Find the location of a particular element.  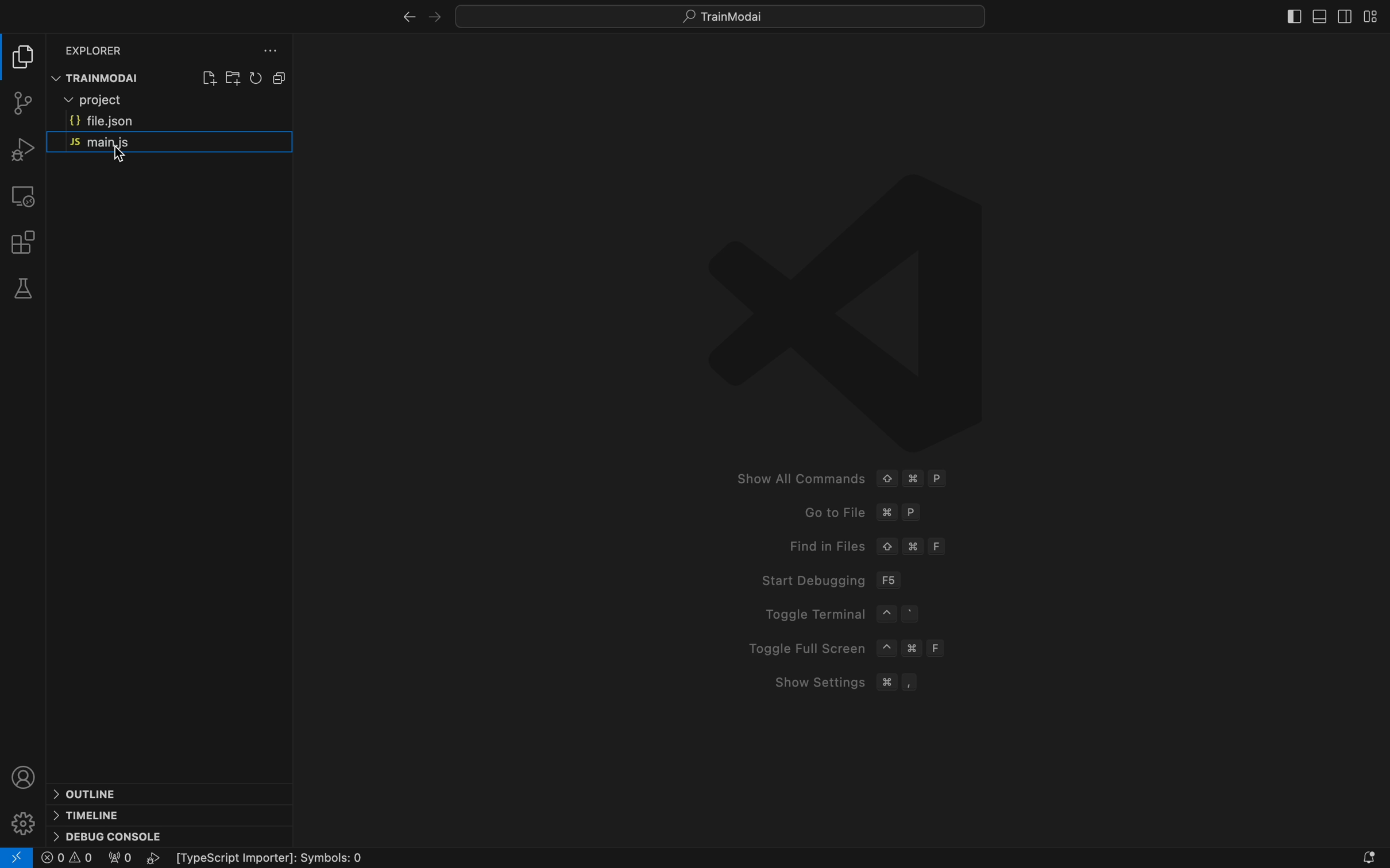

sidebar bottom is located at coordinates (1318, 17).